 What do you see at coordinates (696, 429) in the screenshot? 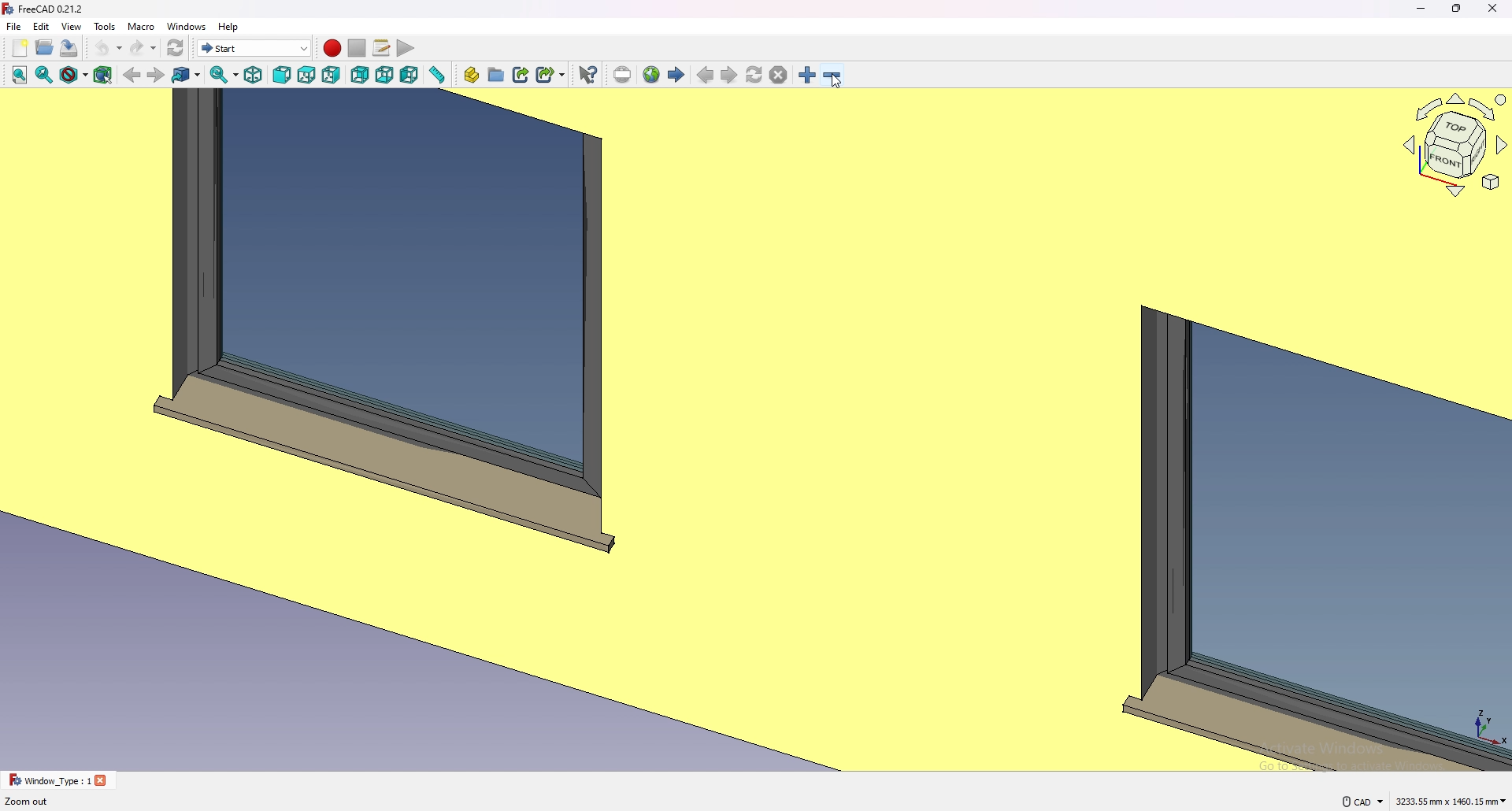
I see `workspace` at bounding box center [696, 429].